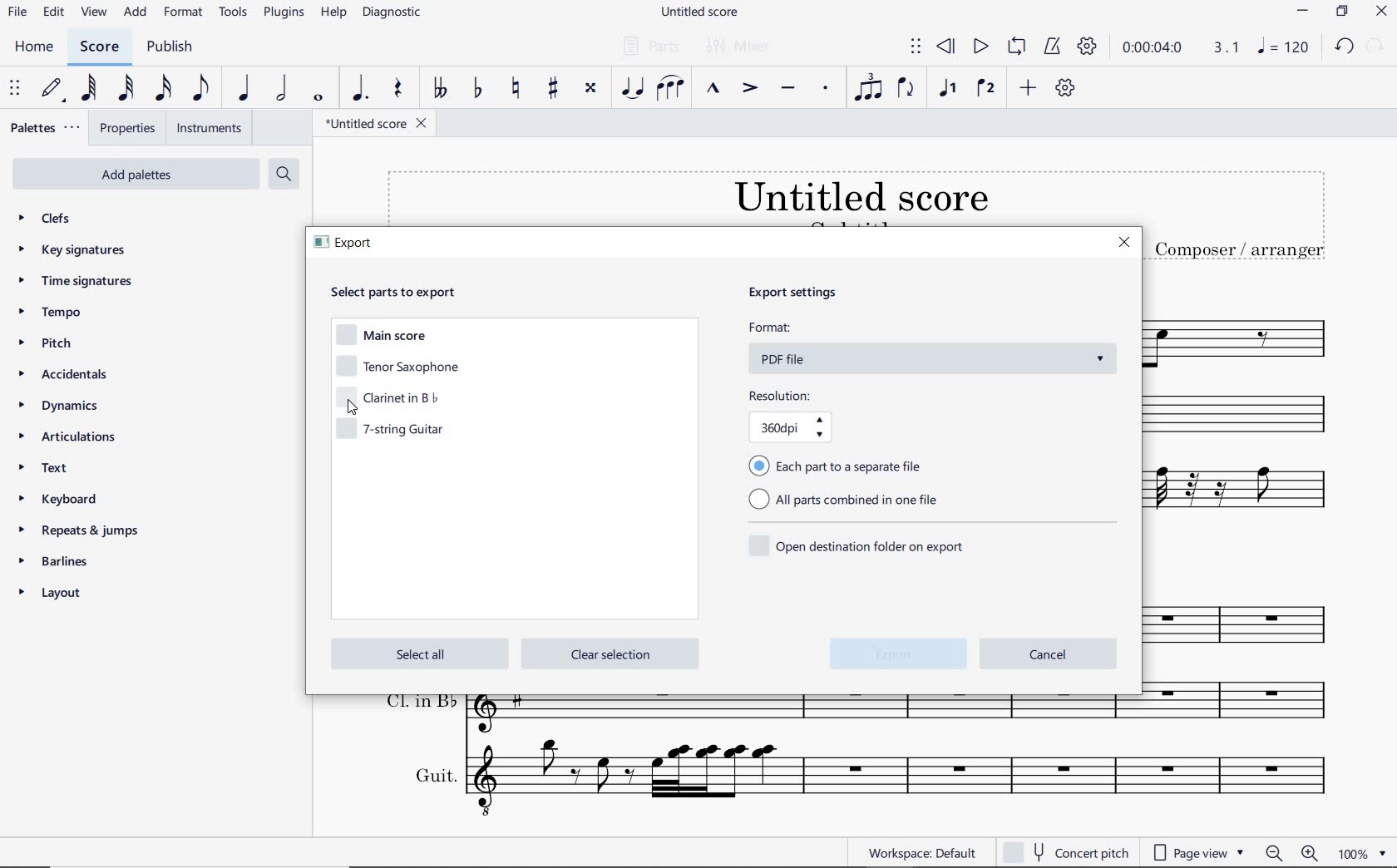 The height and width of the screenshot is (868, 1397). I want to click on PARTS, so click(650, 46).